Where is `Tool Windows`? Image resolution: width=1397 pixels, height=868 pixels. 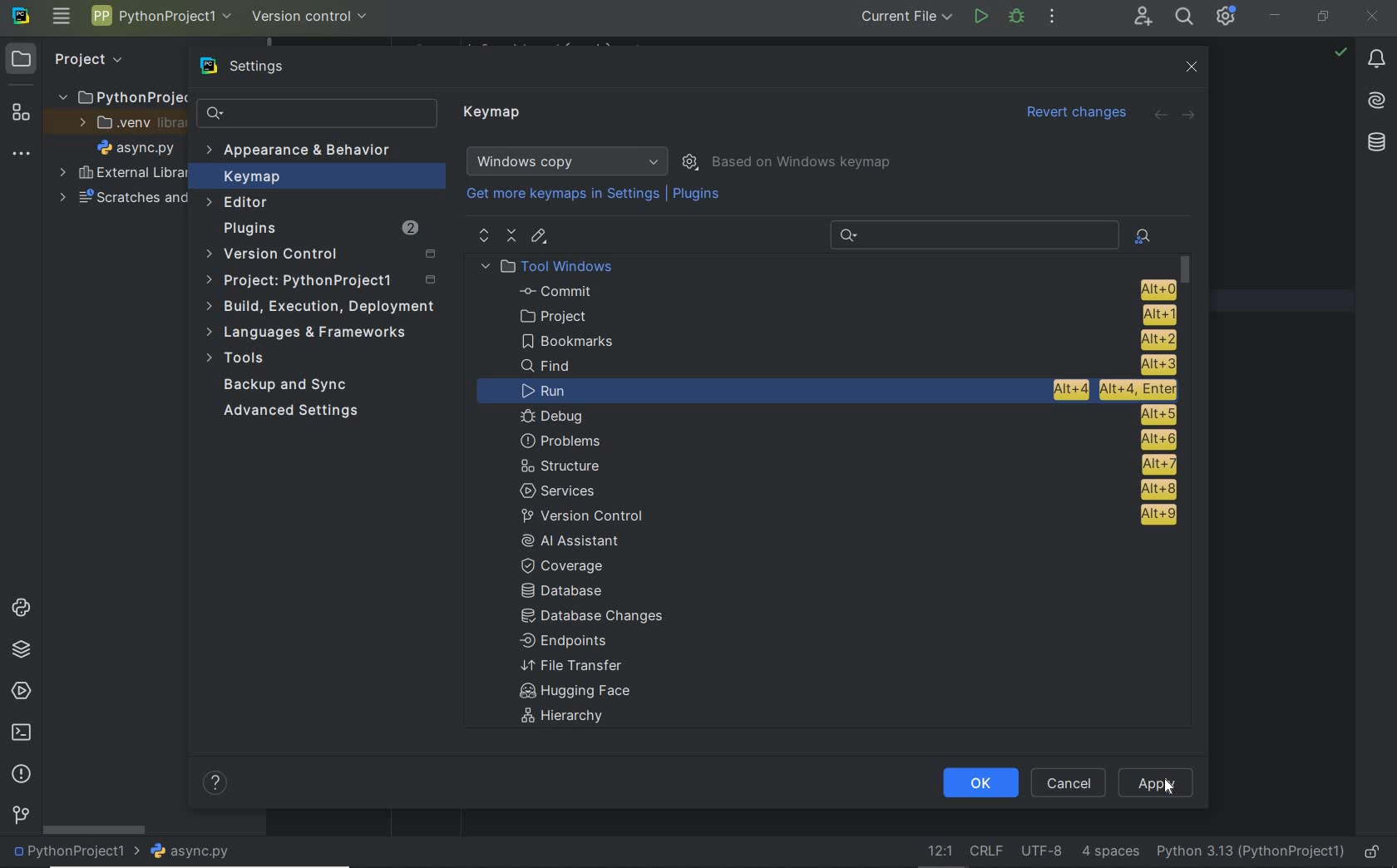 Tool Windows is located at coordinates (554, 266).